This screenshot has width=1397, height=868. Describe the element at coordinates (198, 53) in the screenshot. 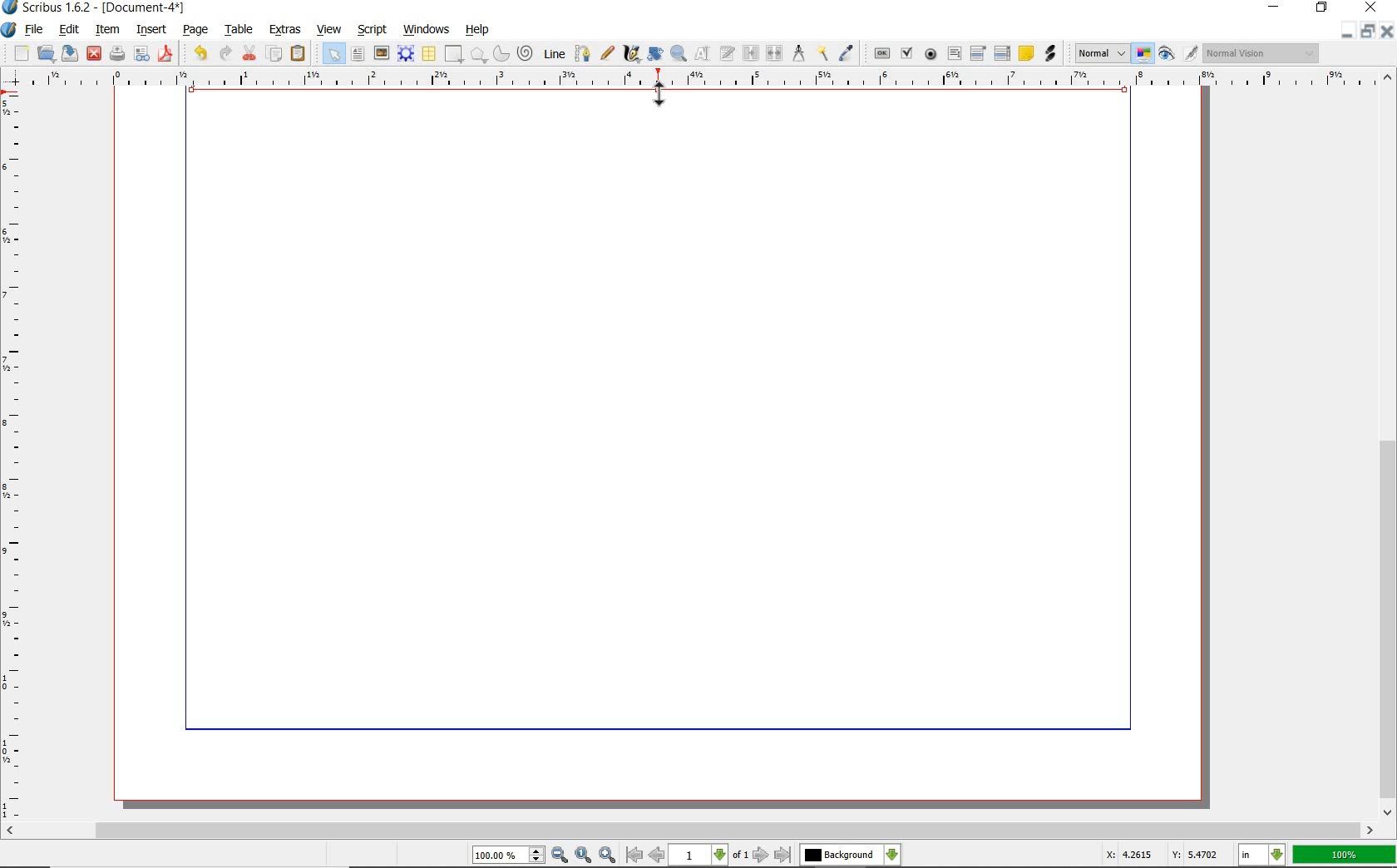

I see `undo` at that location.